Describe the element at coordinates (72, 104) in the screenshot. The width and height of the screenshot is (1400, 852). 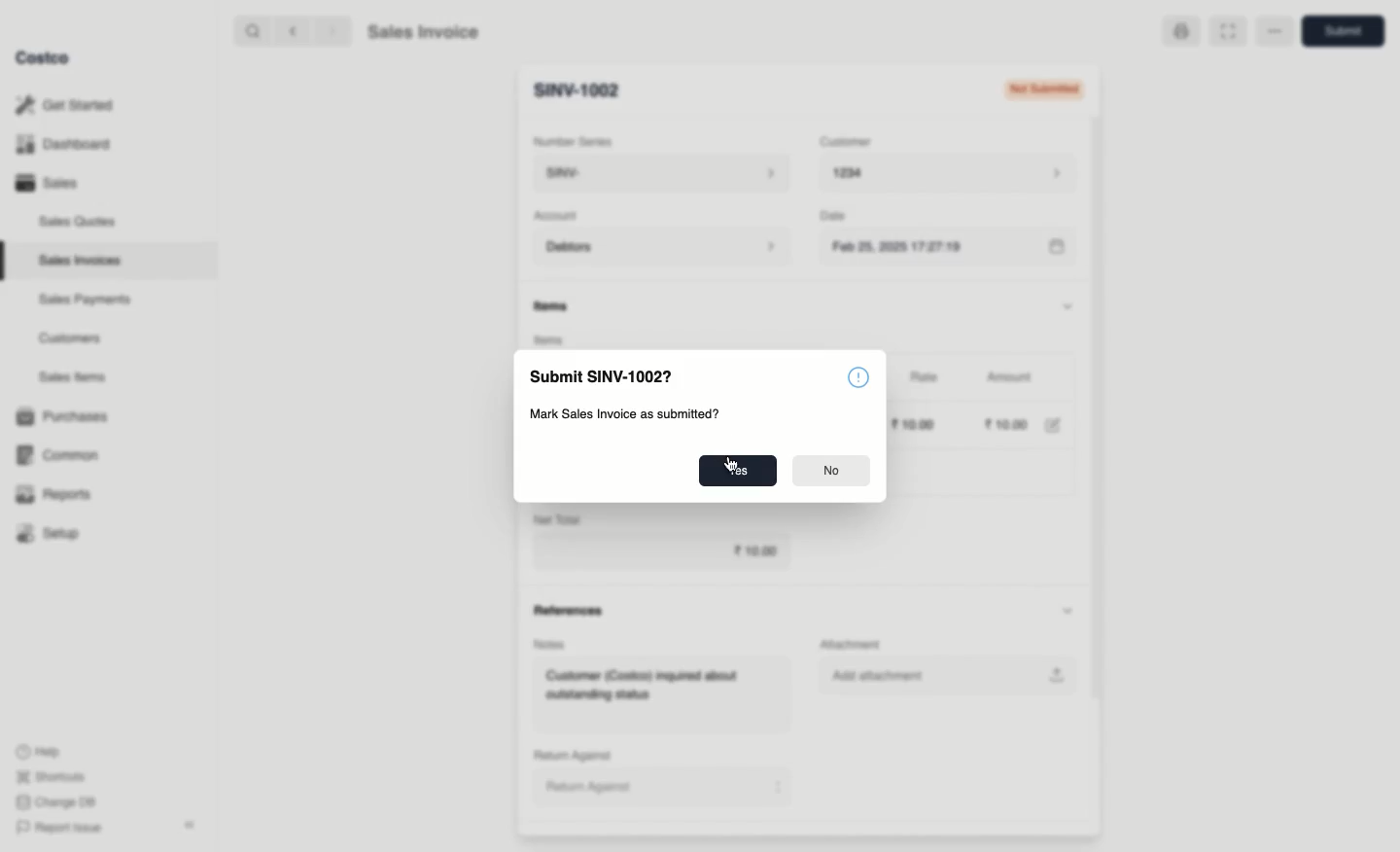
I see `Get Started` at that location.